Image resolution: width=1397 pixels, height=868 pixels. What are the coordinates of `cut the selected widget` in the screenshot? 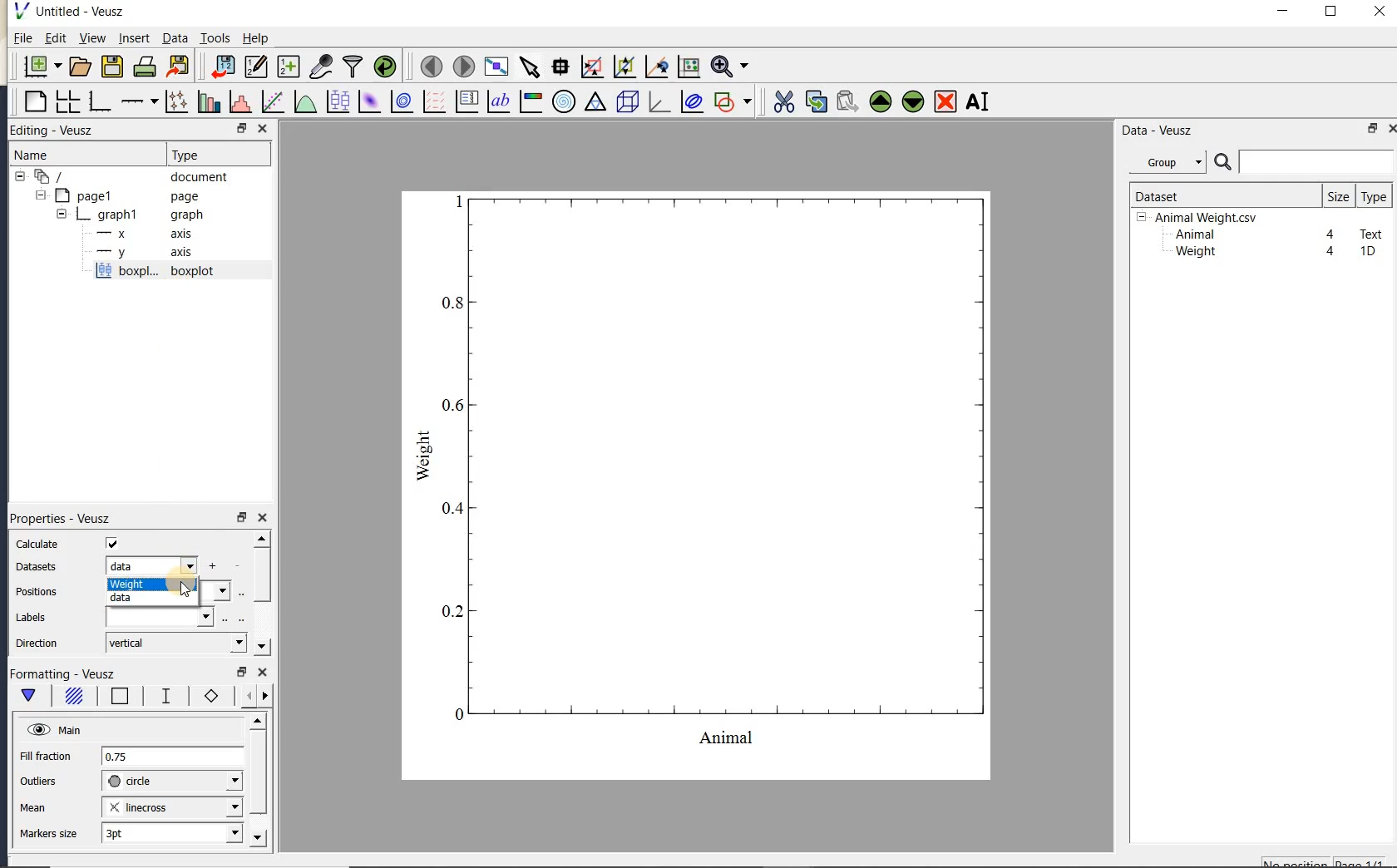 It's located at (782, 102).